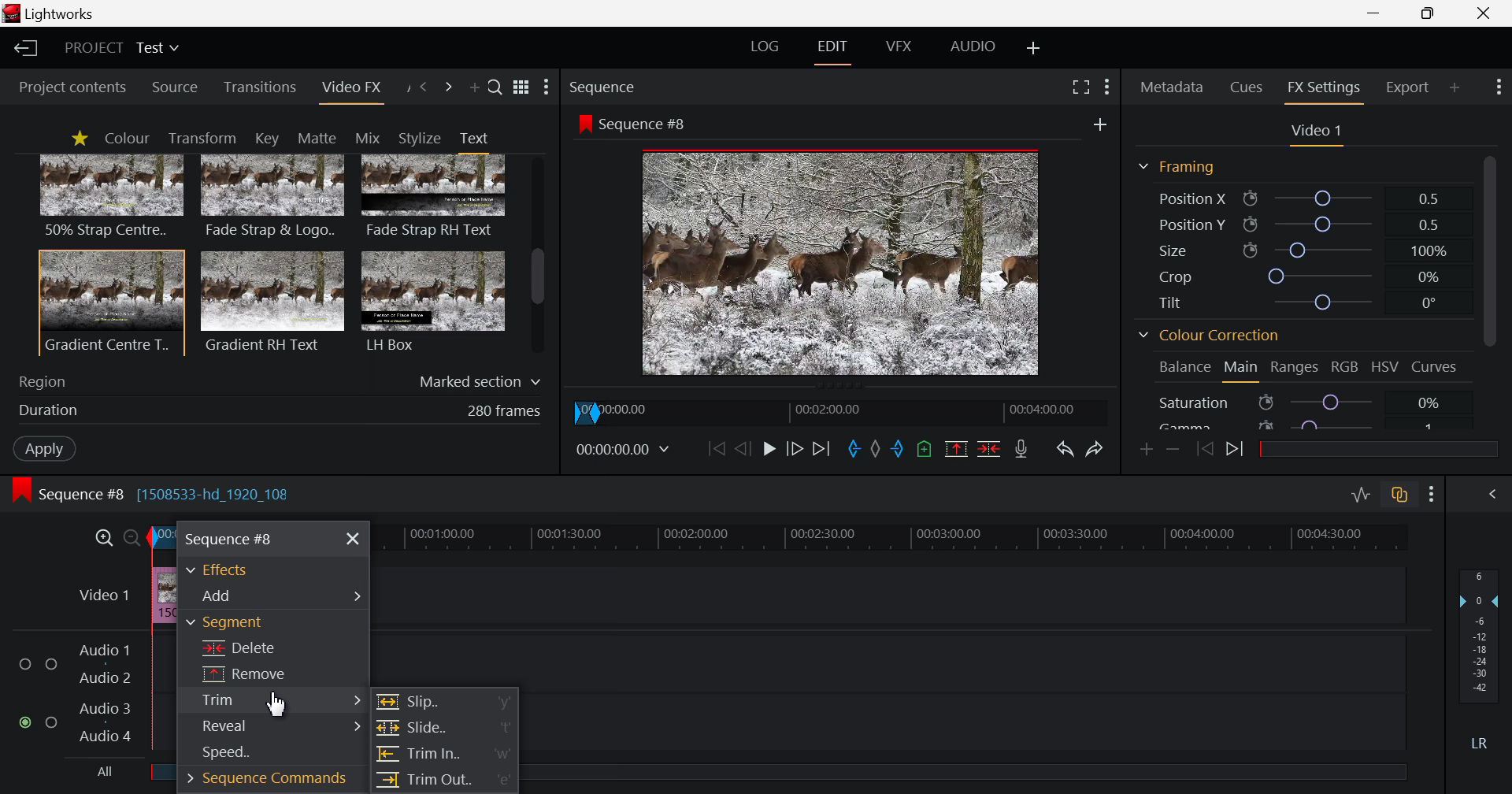 This screenshot has height=794, width=1512. What do you see at coordinates (224, 570) in the screenshot?
I see `Effects` at bounding box center [224, 570].